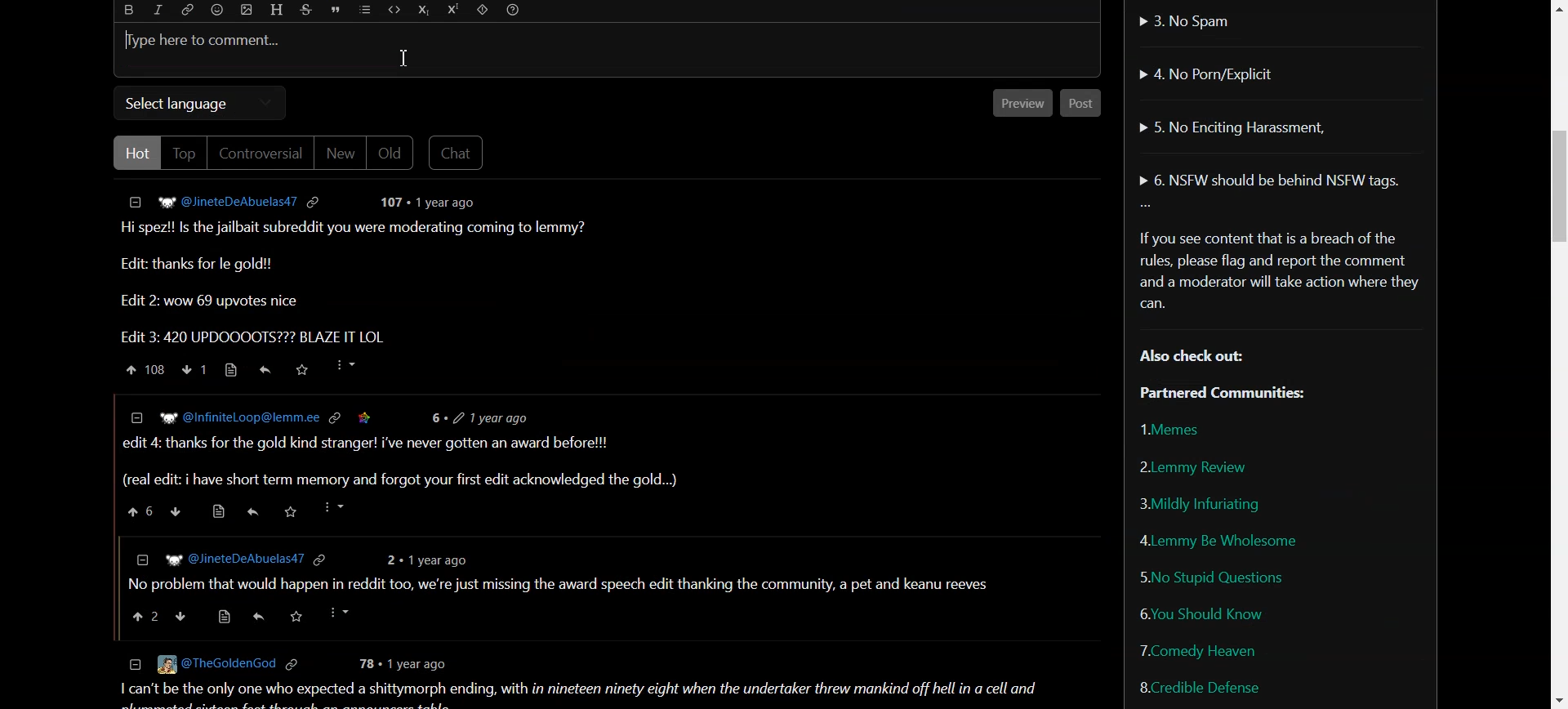  Describe the element at coordinates (340, 153) in the screenshot. I see `New` at that location.